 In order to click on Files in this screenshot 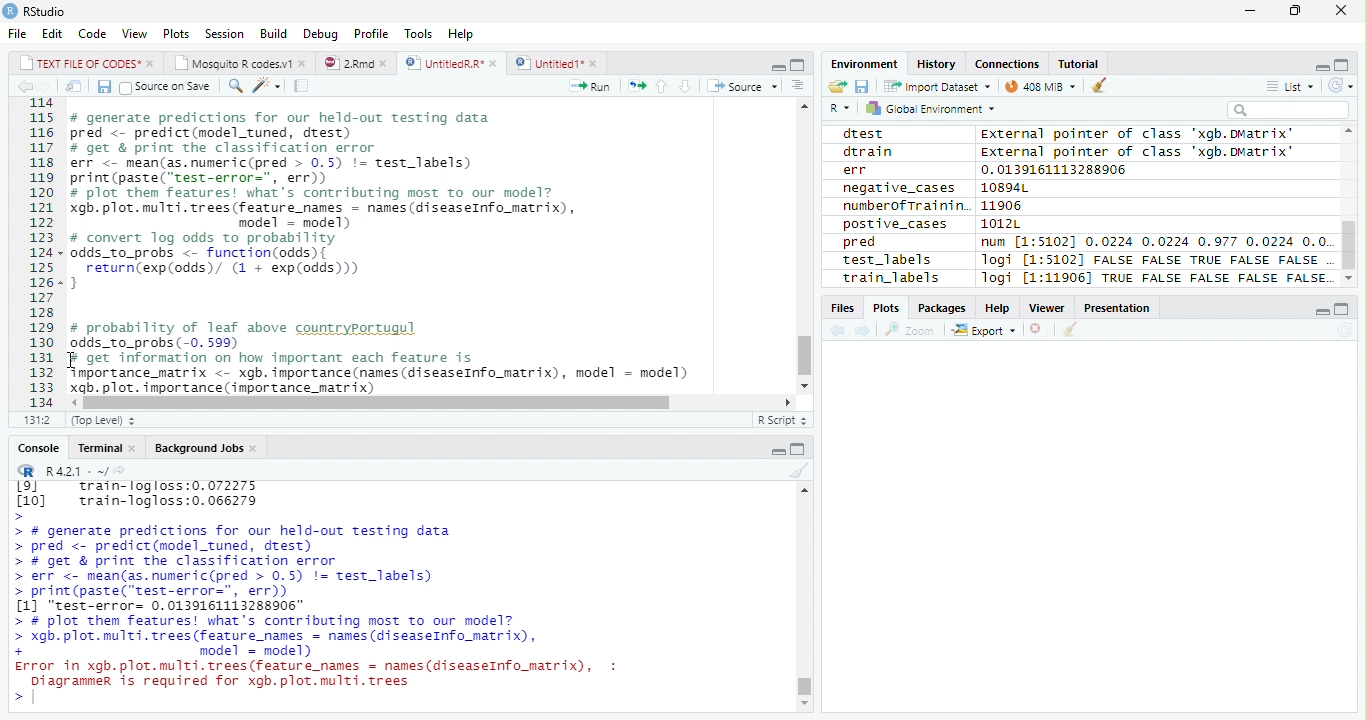, I will do `click(842, 308)`.